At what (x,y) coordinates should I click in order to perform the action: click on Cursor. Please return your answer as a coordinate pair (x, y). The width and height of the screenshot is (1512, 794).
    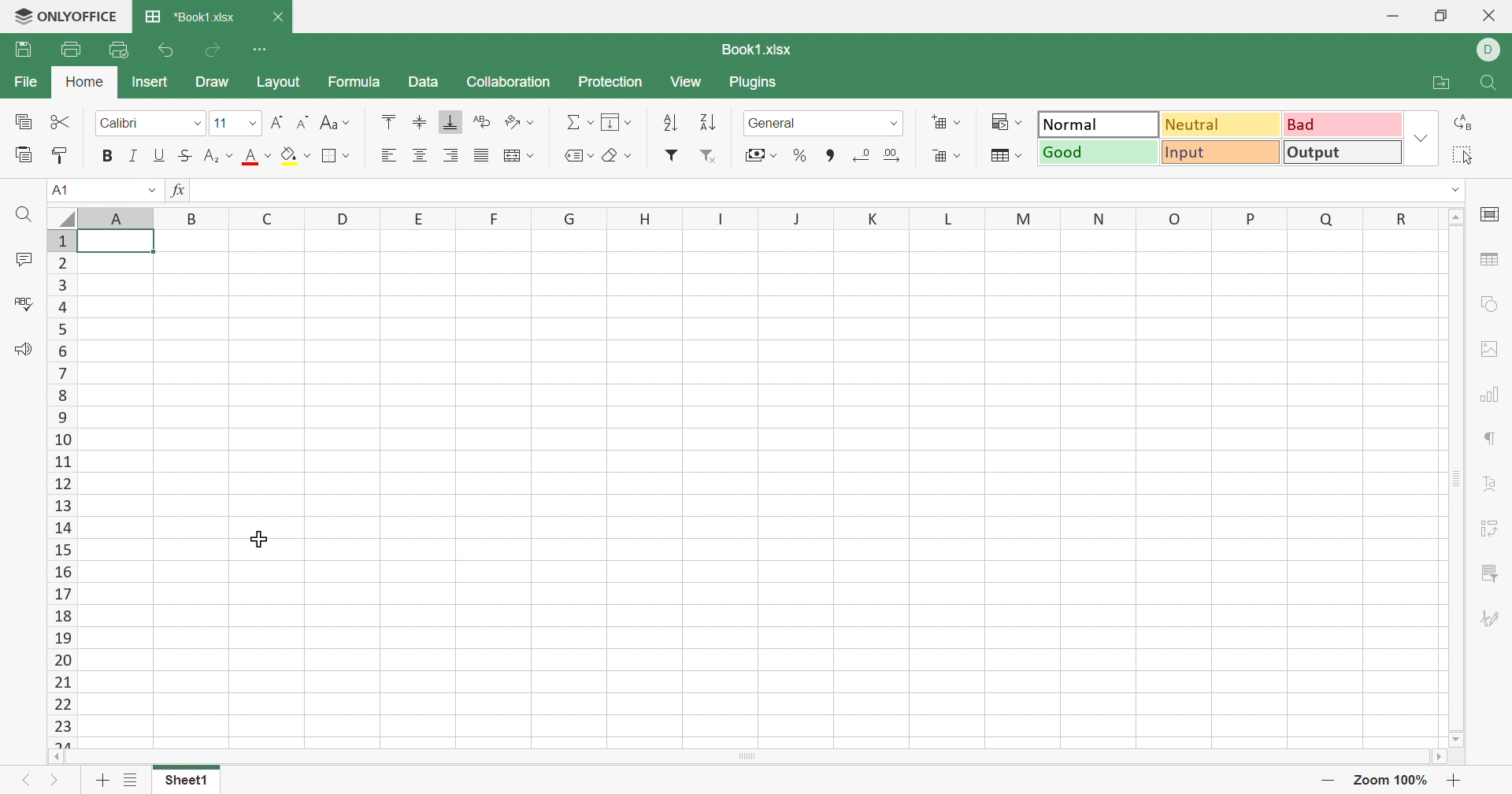
    Looking at the image, I should click on (256, 536).